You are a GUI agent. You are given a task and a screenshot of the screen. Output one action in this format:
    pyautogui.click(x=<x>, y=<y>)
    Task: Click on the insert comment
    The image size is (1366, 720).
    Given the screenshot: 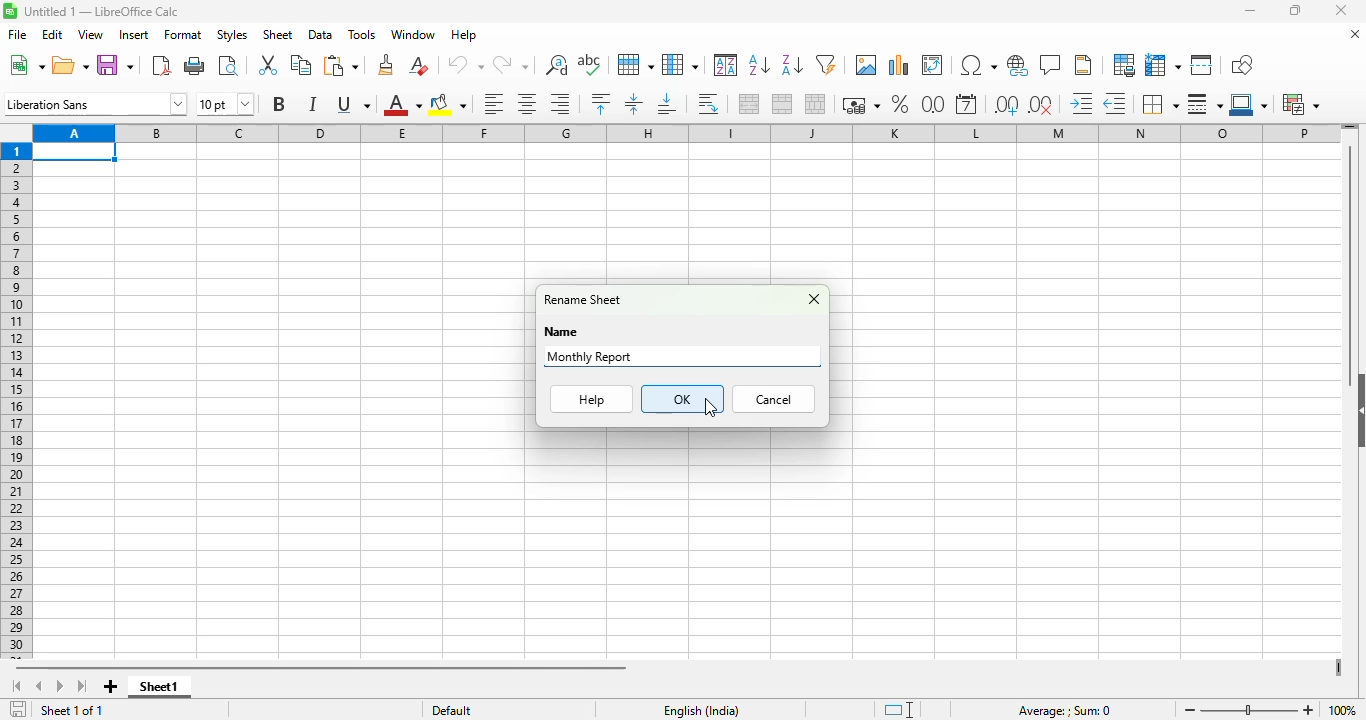 What is the action you would take?
    pyautogui.click(x=1050, y=64)
    